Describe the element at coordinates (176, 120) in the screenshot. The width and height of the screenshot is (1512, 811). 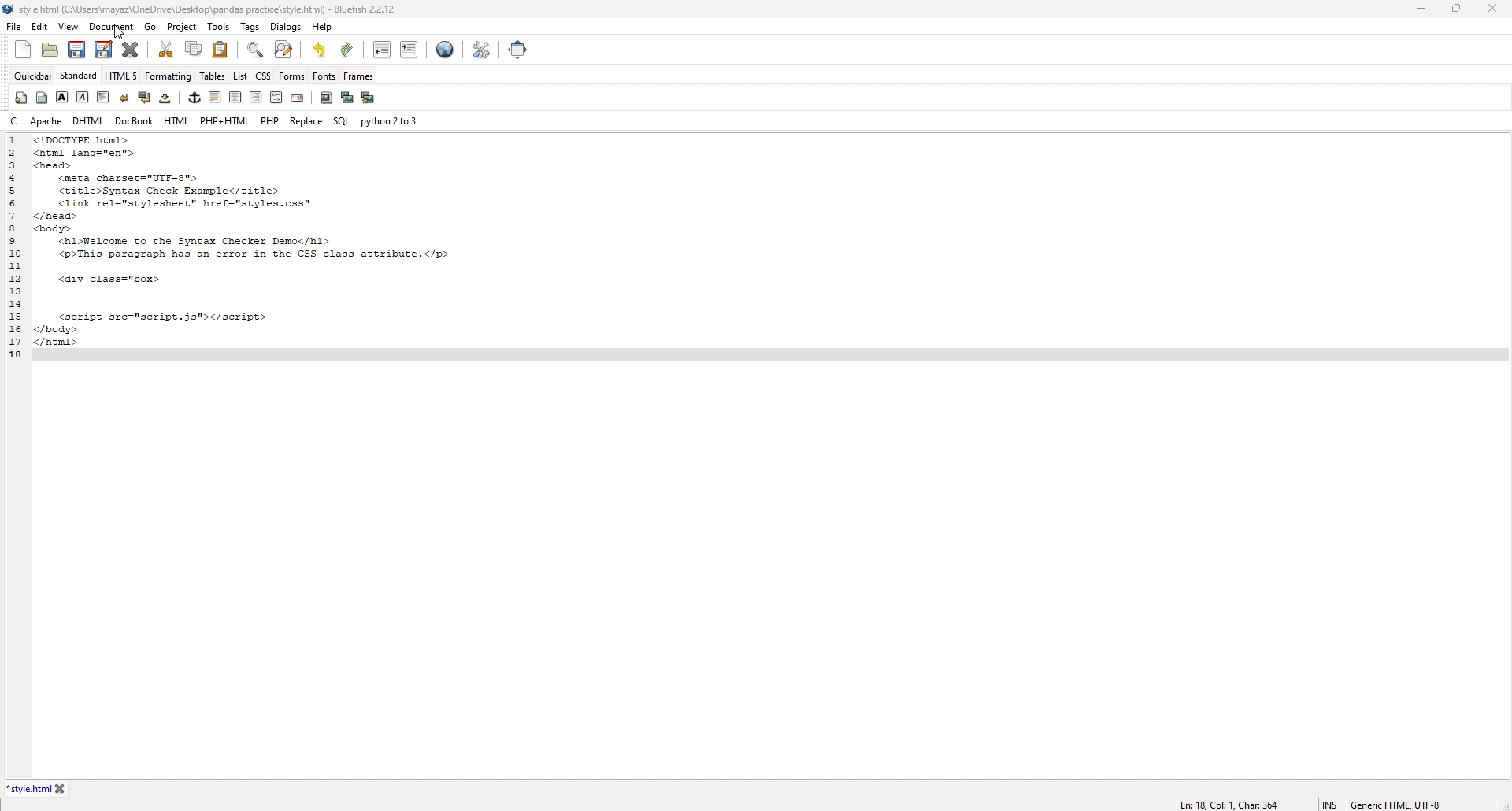
I see `html` at that location.